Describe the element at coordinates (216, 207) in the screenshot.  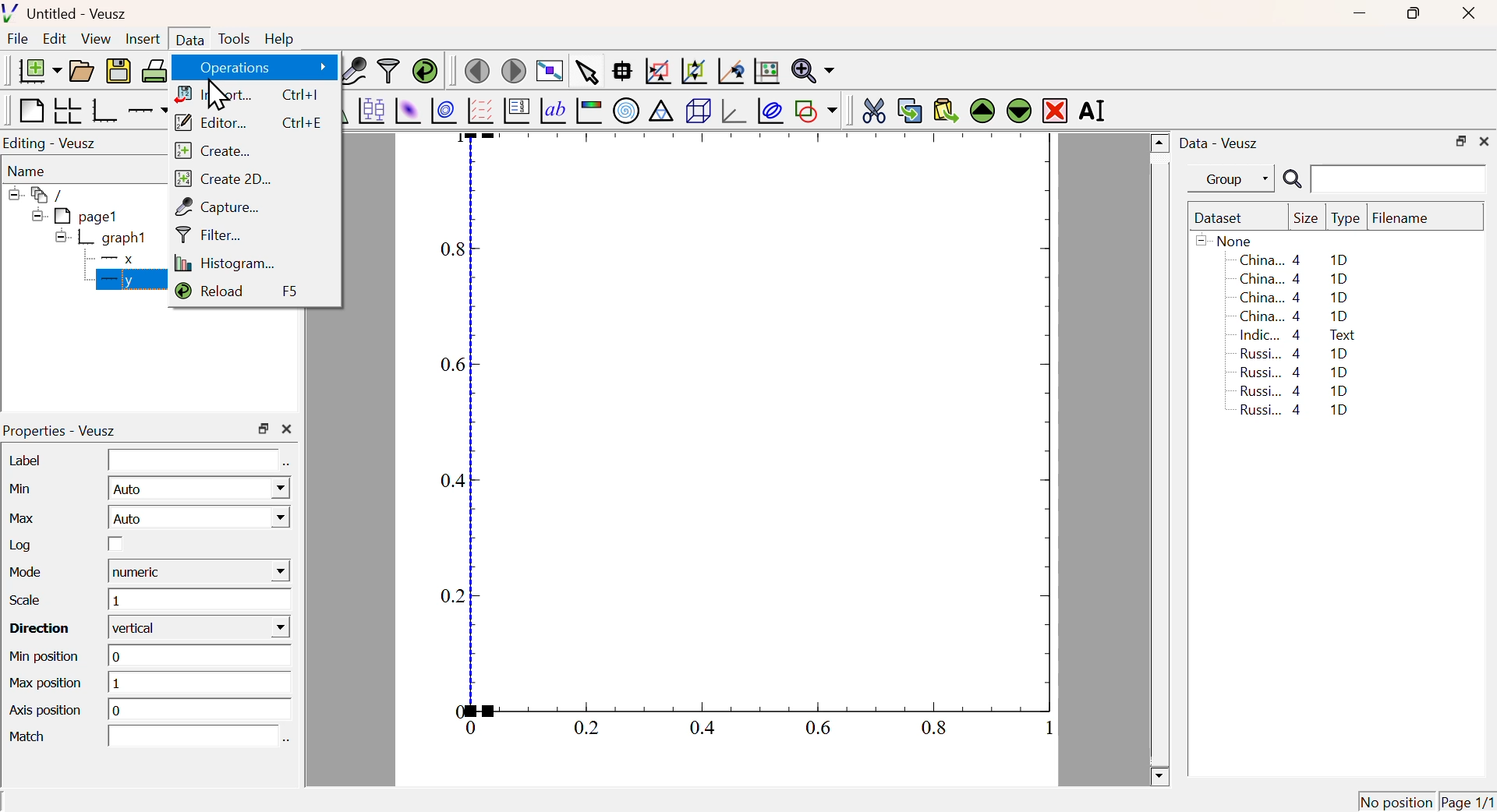
I see `Capture.` at that location.